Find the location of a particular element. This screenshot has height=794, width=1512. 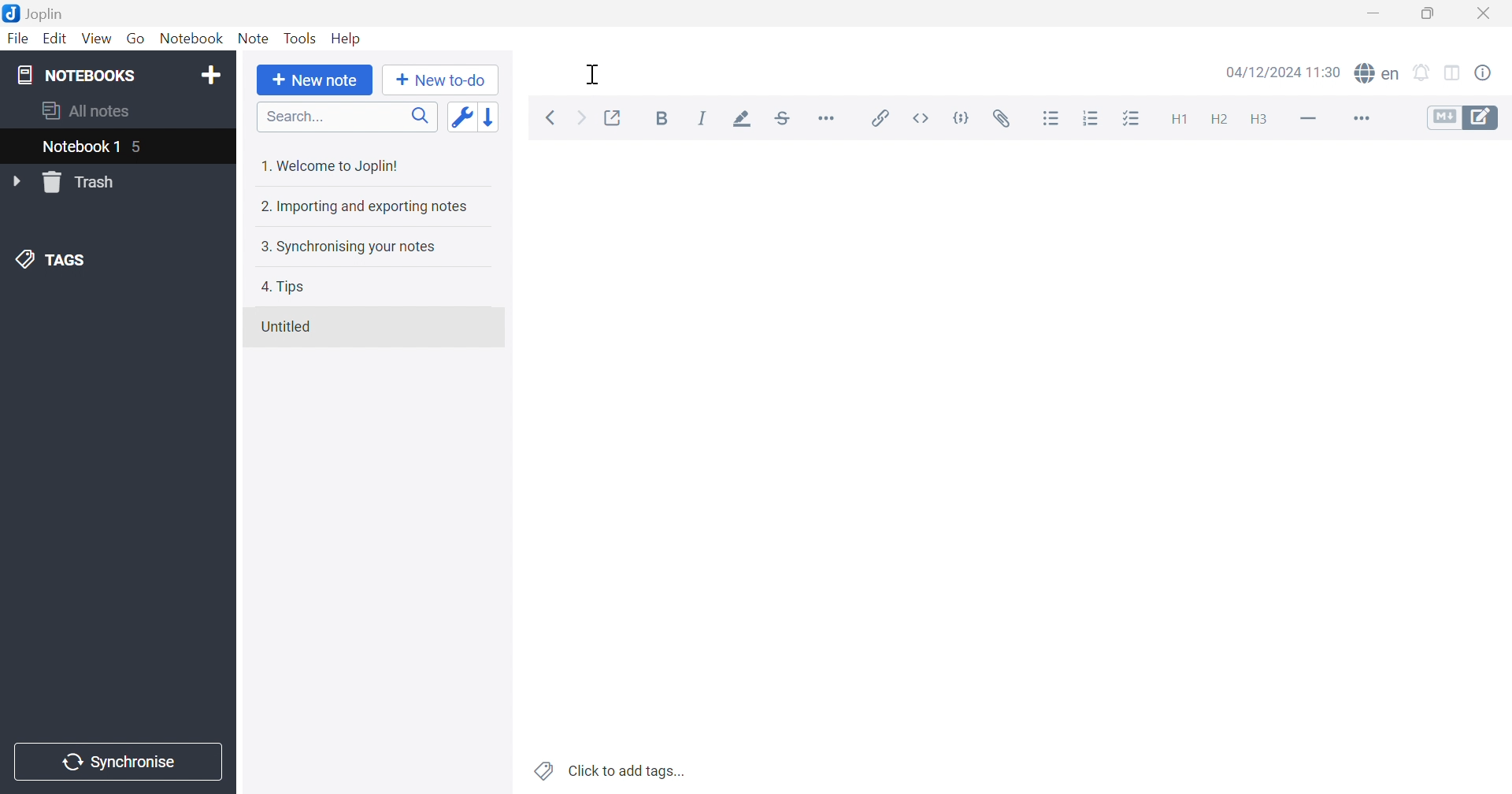

Synchronise is located at coordinates (115, 762).